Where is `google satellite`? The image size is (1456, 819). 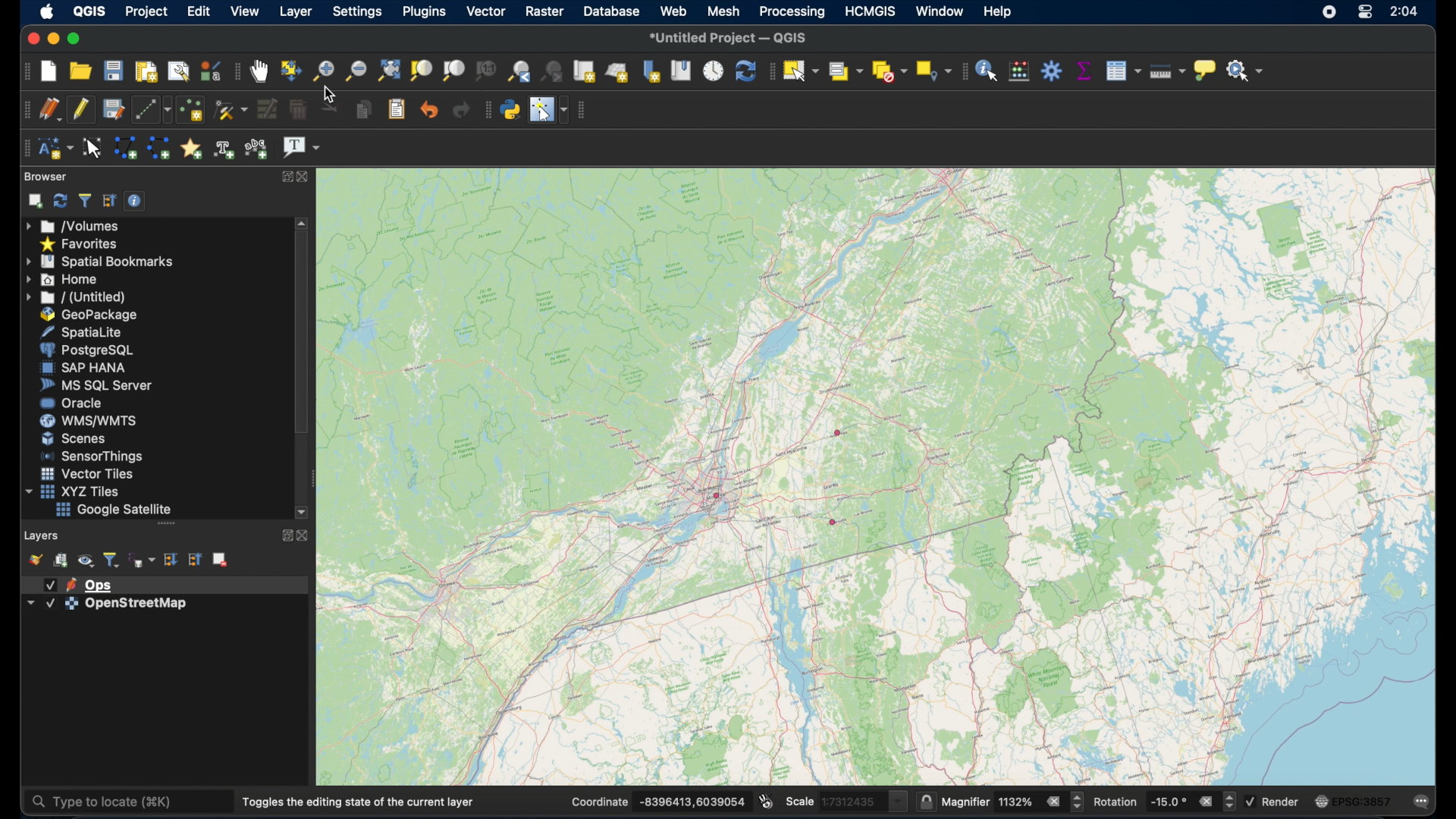
google satellite is located at coordinates (113, 510).